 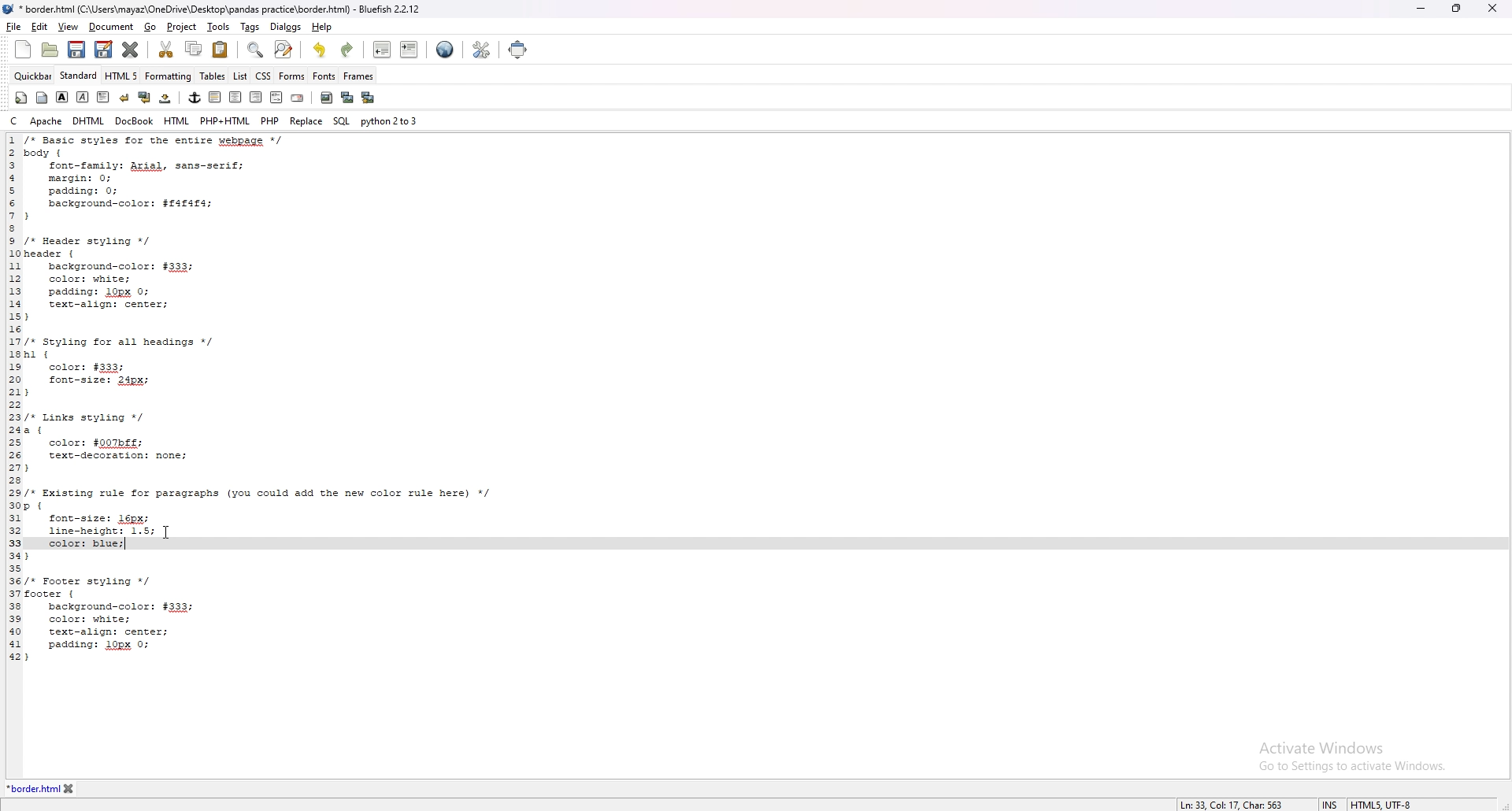 I want to click on preview in web, so click(x=446, y=49).